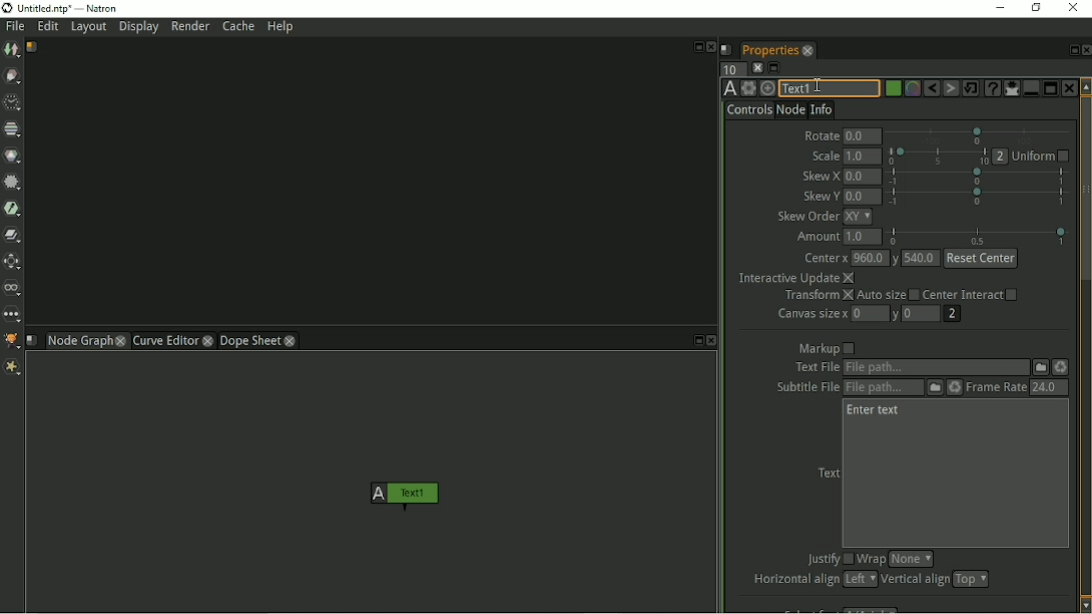 This screenshot has height=614, width=1092. Describe the element at coordinates (972, 294) in the screenshot. I see `Center Interact` at that location.